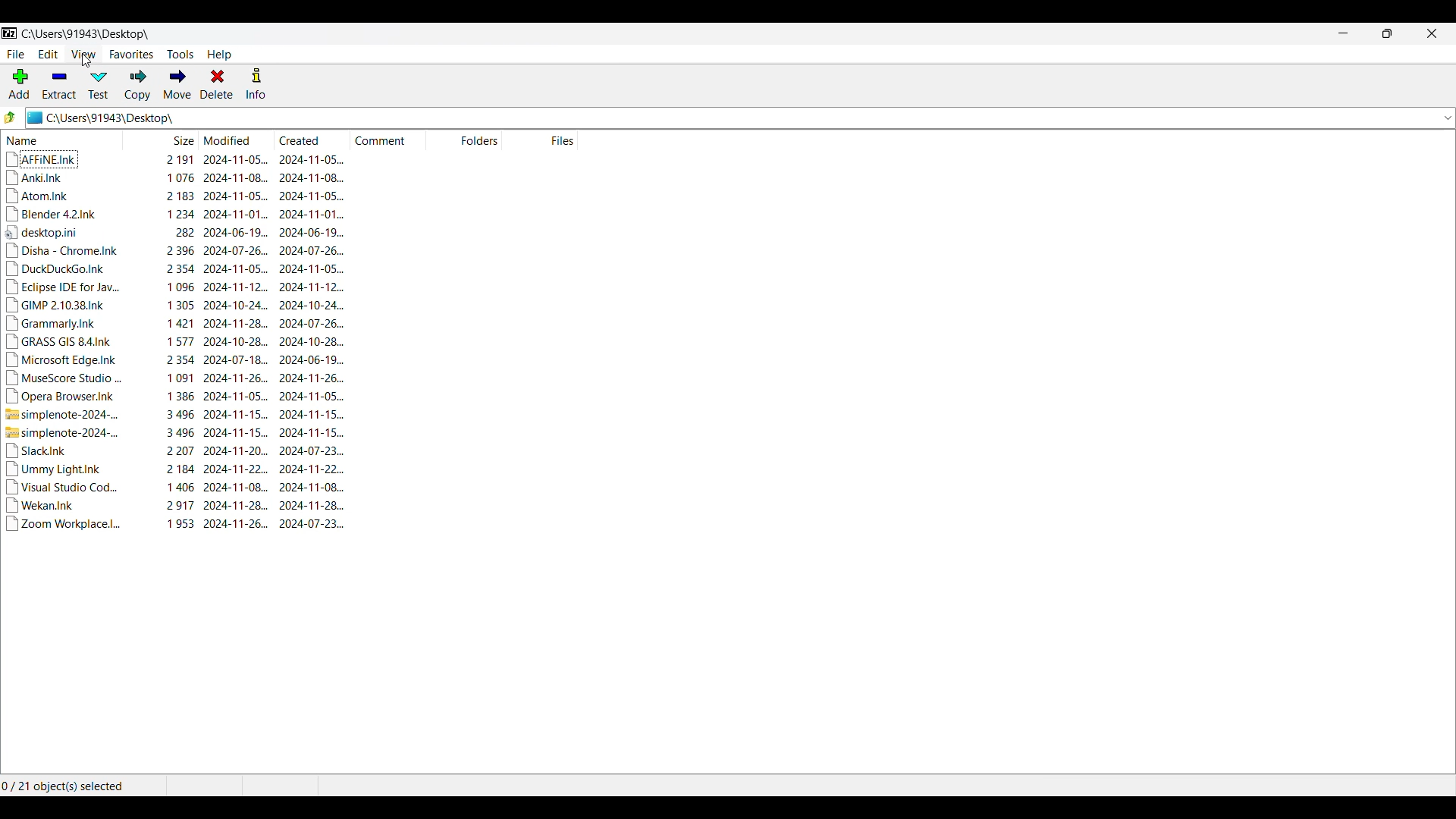 Image resolution: width=1456 pixels, height=819 pixels. Describe the element at coordinates (137, 85) in the screenshot. I see `Copy` at that location.